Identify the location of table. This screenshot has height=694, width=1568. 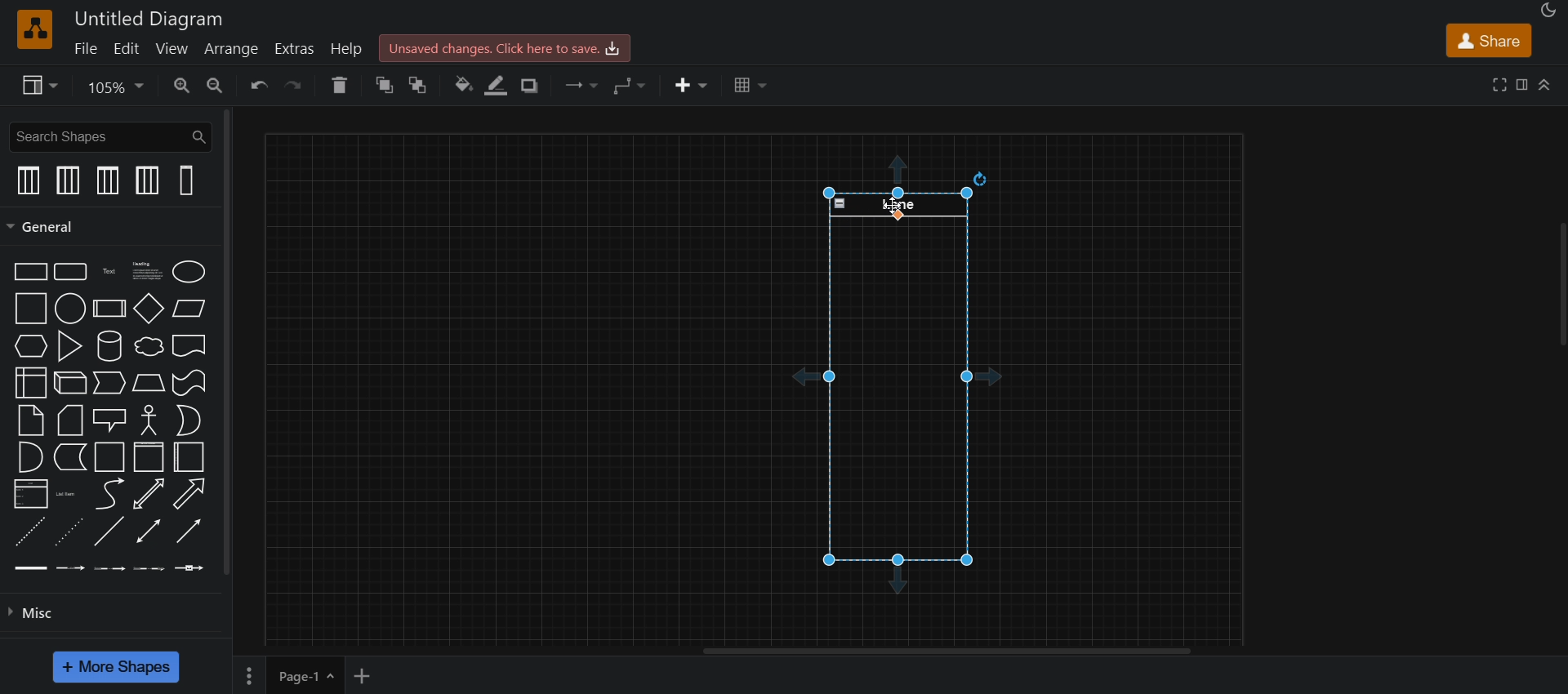
(747, 84).